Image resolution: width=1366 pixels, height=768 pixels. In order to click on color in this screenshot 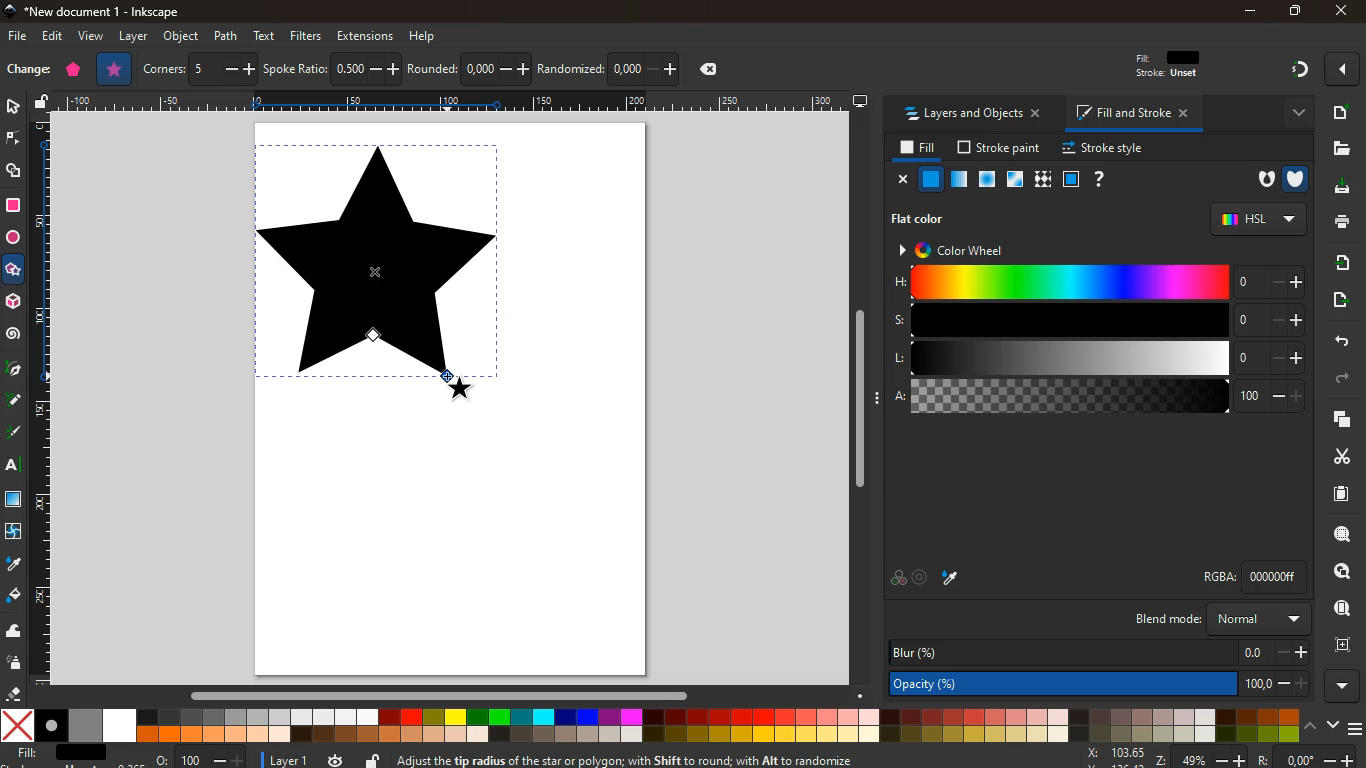, I will do `click(650, 726)`.